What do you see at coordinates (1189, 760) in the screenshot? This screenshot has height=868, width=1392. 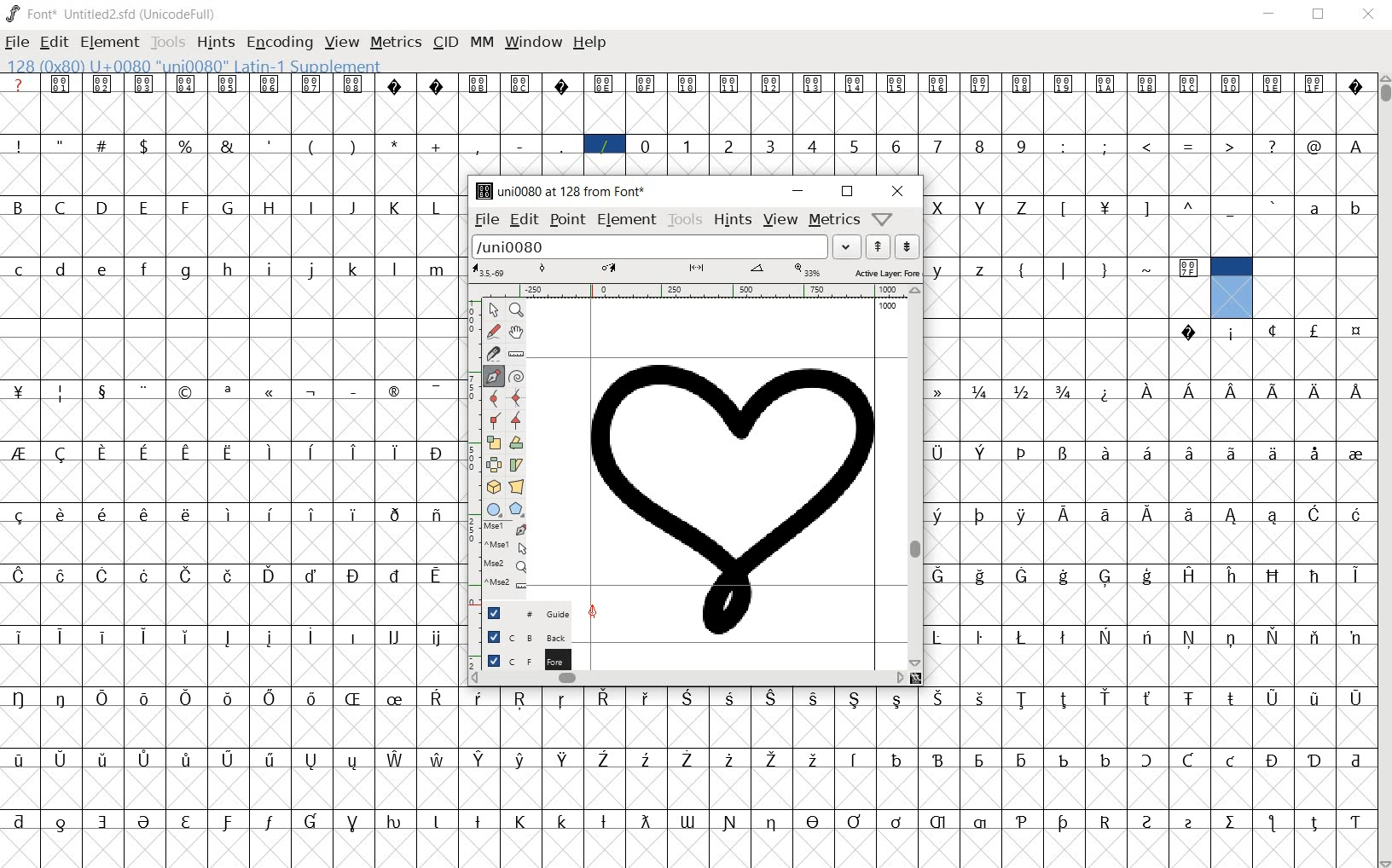 I see `glyph` at bounding box center [1189, 760].